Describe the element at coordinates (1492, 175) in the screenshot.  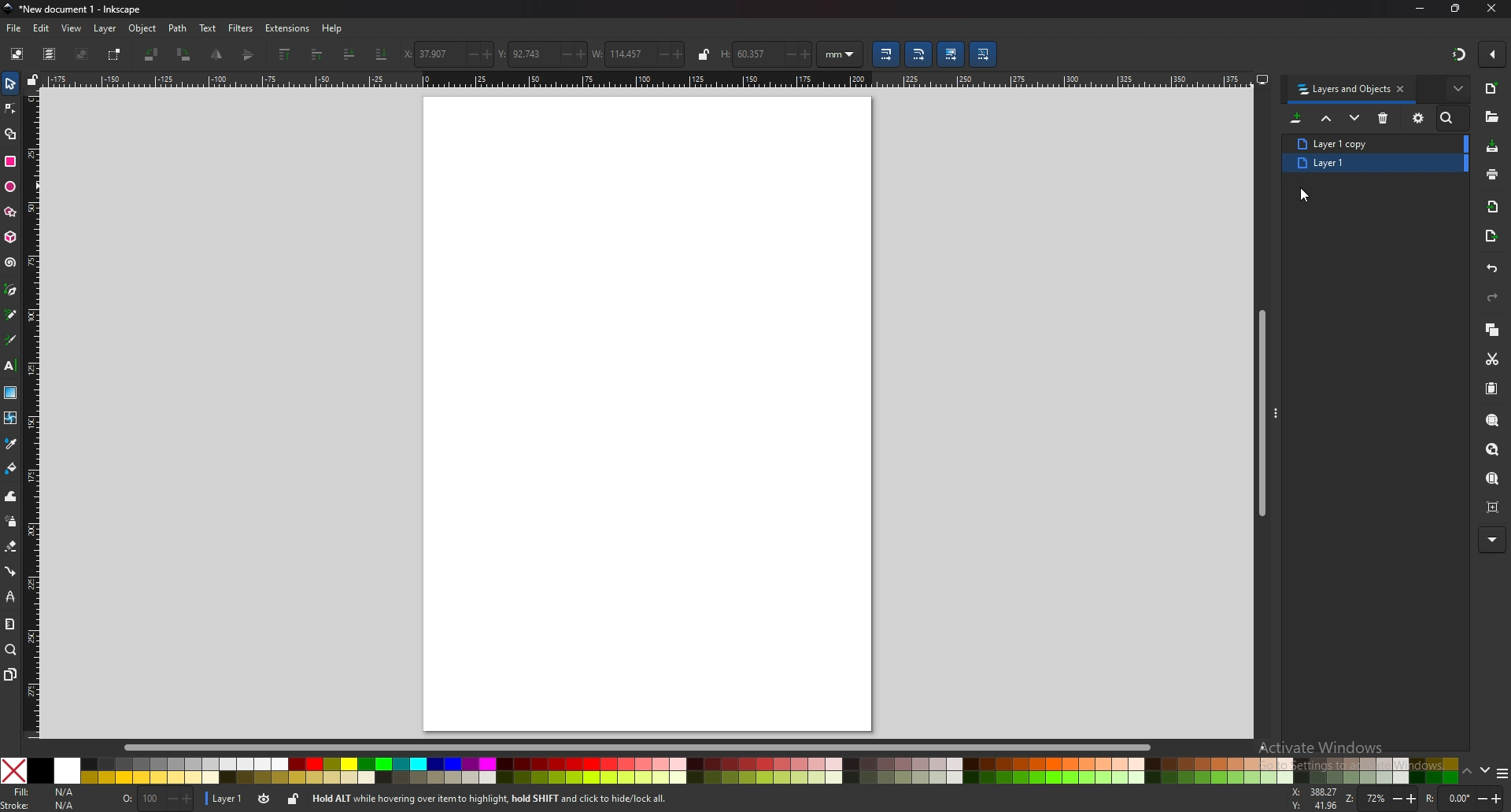
I see `print` at that location.